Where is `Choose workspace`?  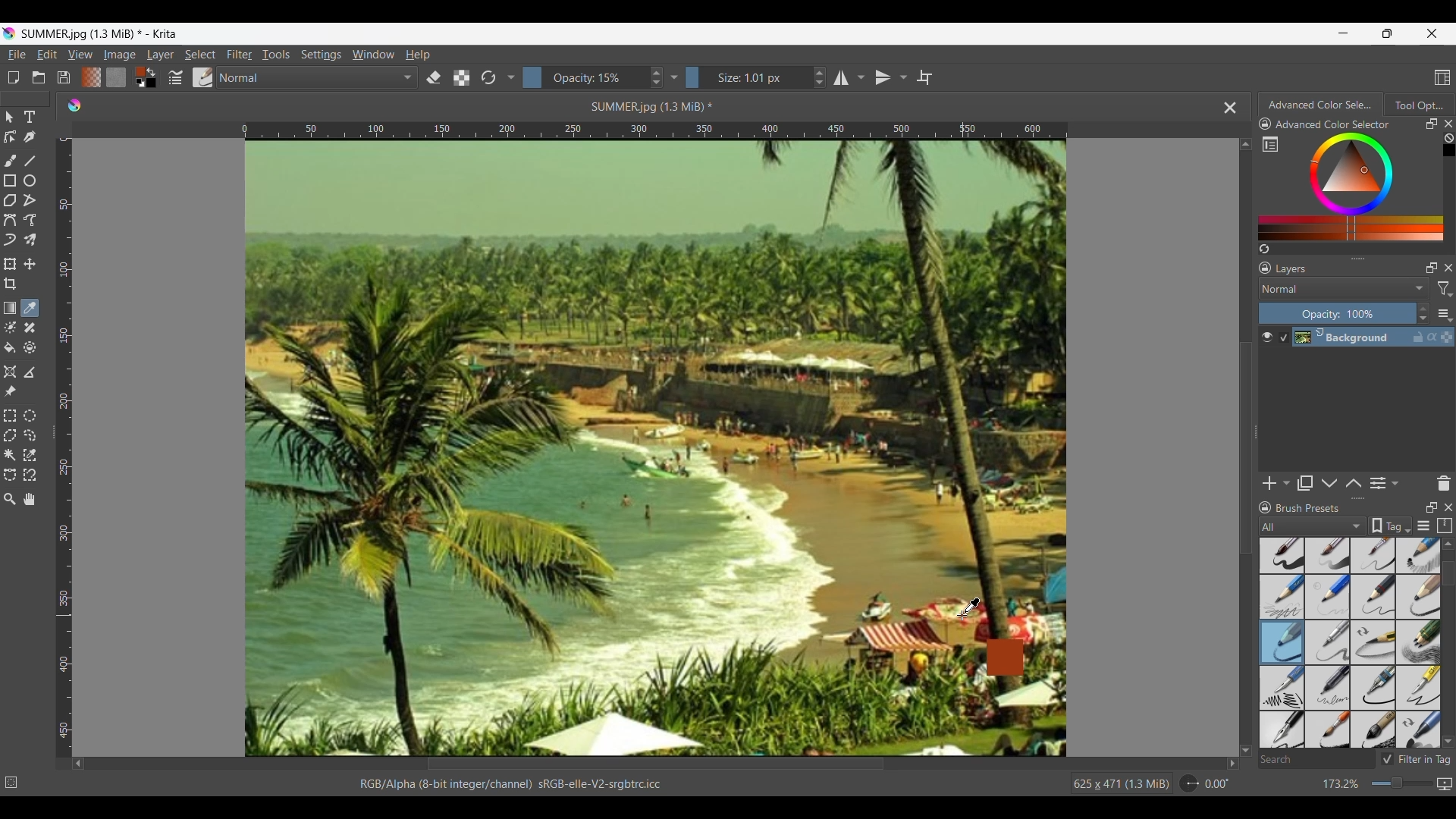 Choose workspace is located at coordinates (1442, 77).